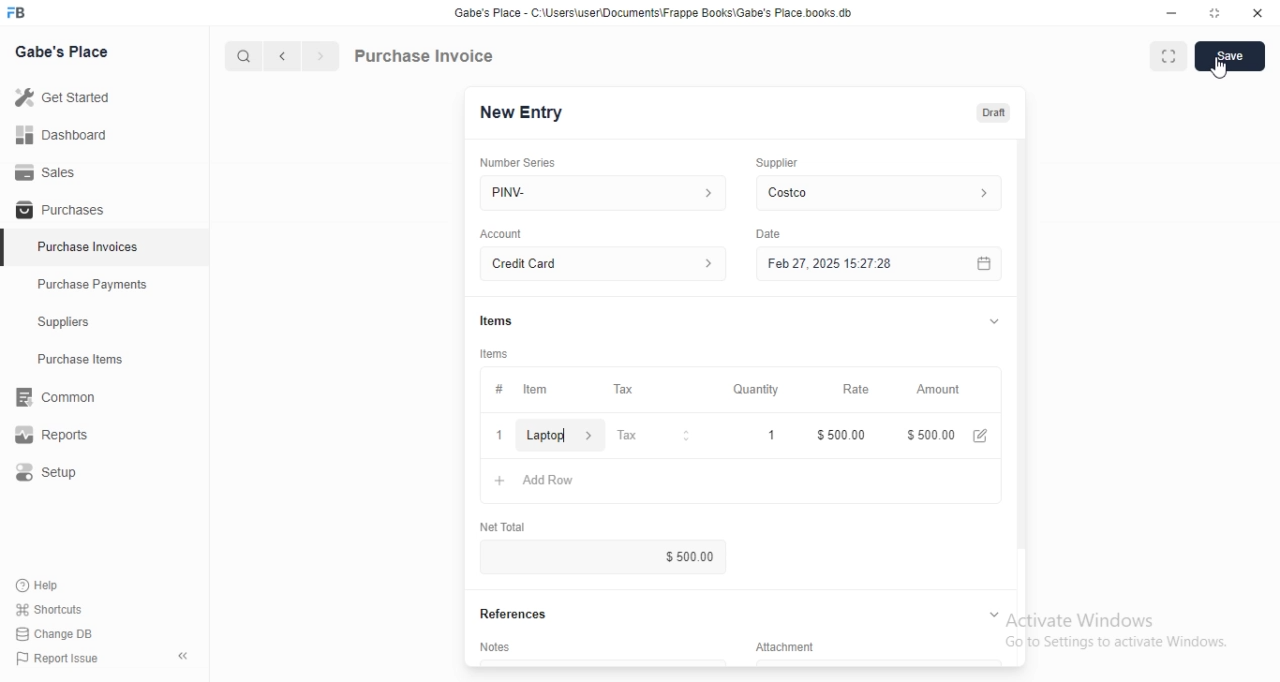 The image size is (1280, 682). What do you see at coordinates (994, 614) in the screenshot?
I see `Collapse` at bounding box center [994, 614].